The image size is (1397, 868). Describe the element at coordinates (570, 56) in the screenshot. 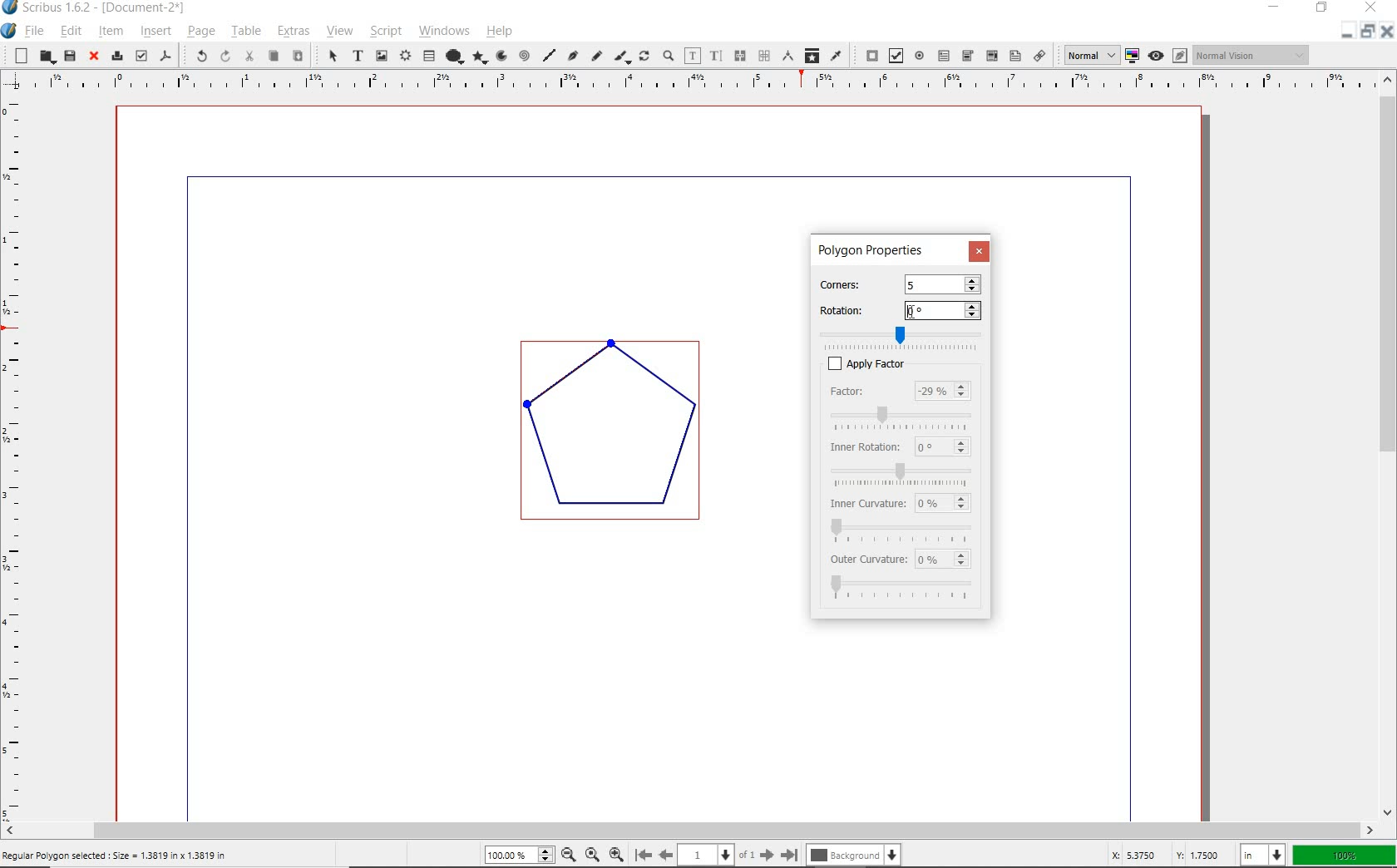

I see `Bezier curve` at that location.